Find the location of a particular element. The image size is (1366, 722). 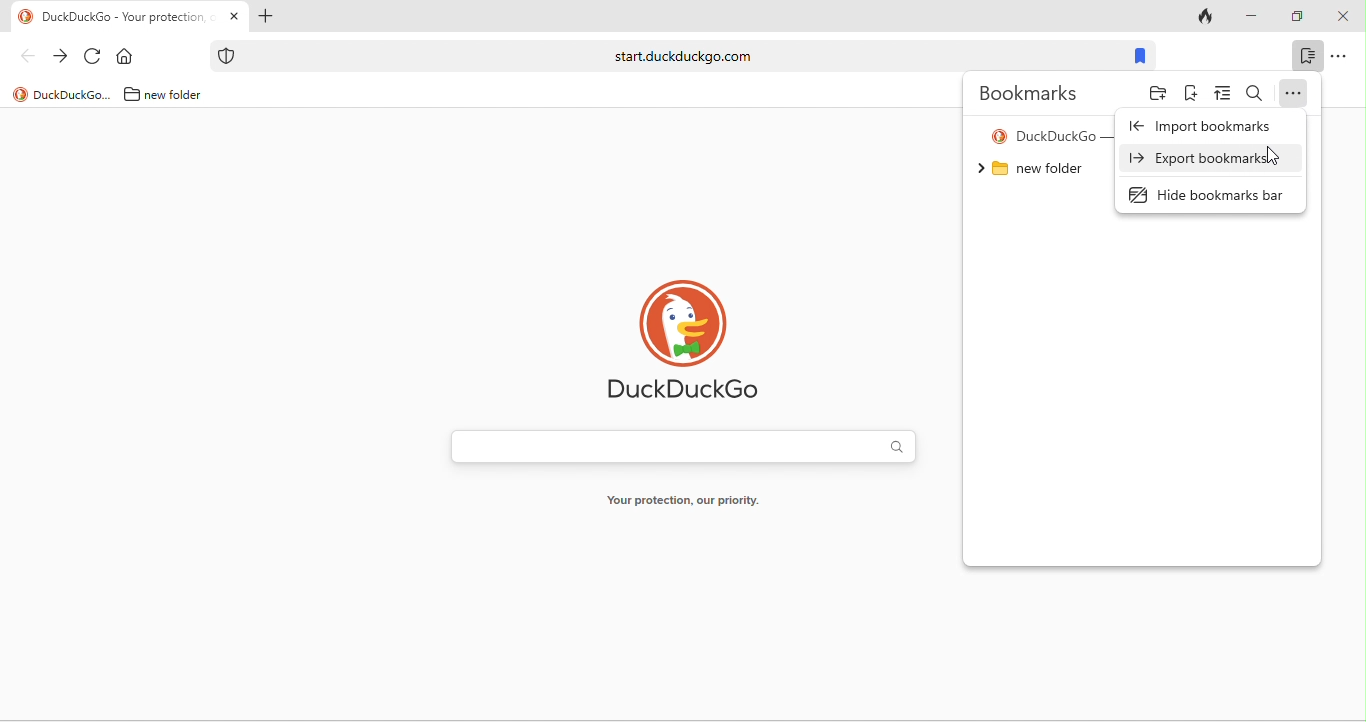

view is located at coordinates (1223, 93).